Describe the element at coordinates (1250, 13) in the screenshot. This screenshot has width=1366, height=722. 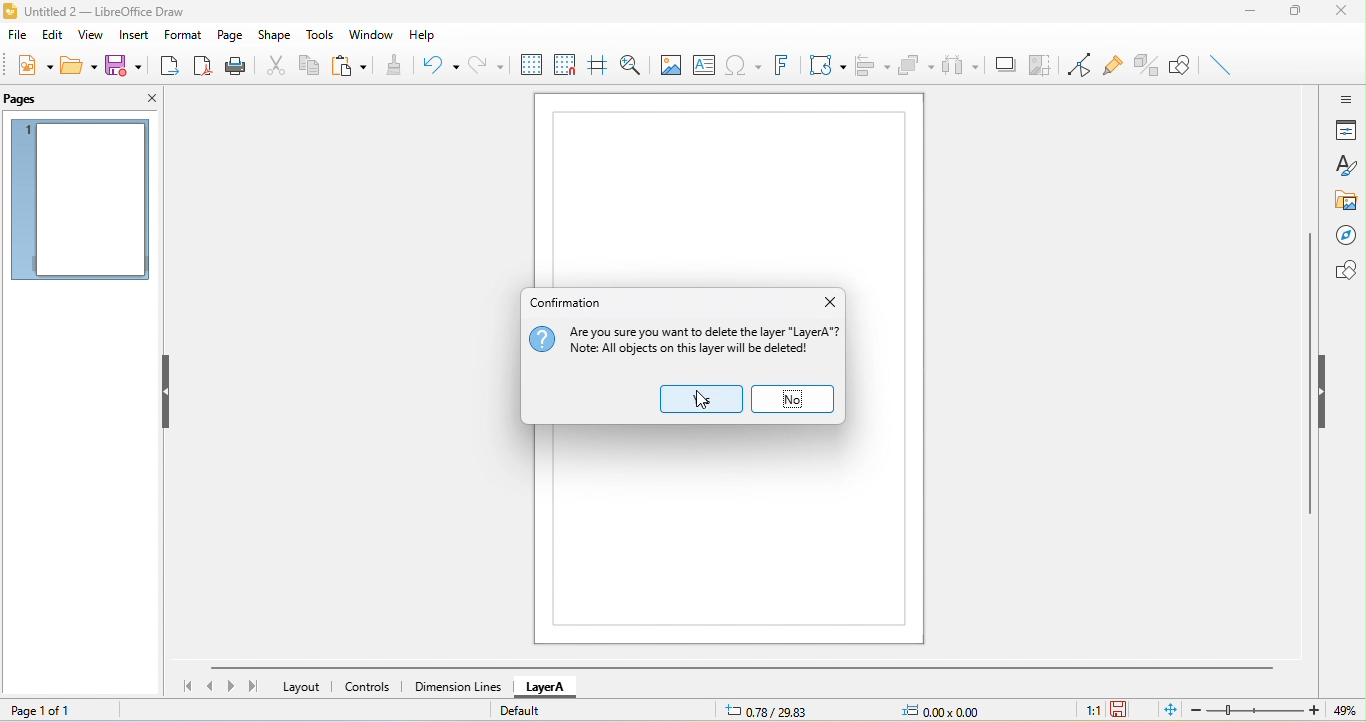
I see `minimize` at that location.